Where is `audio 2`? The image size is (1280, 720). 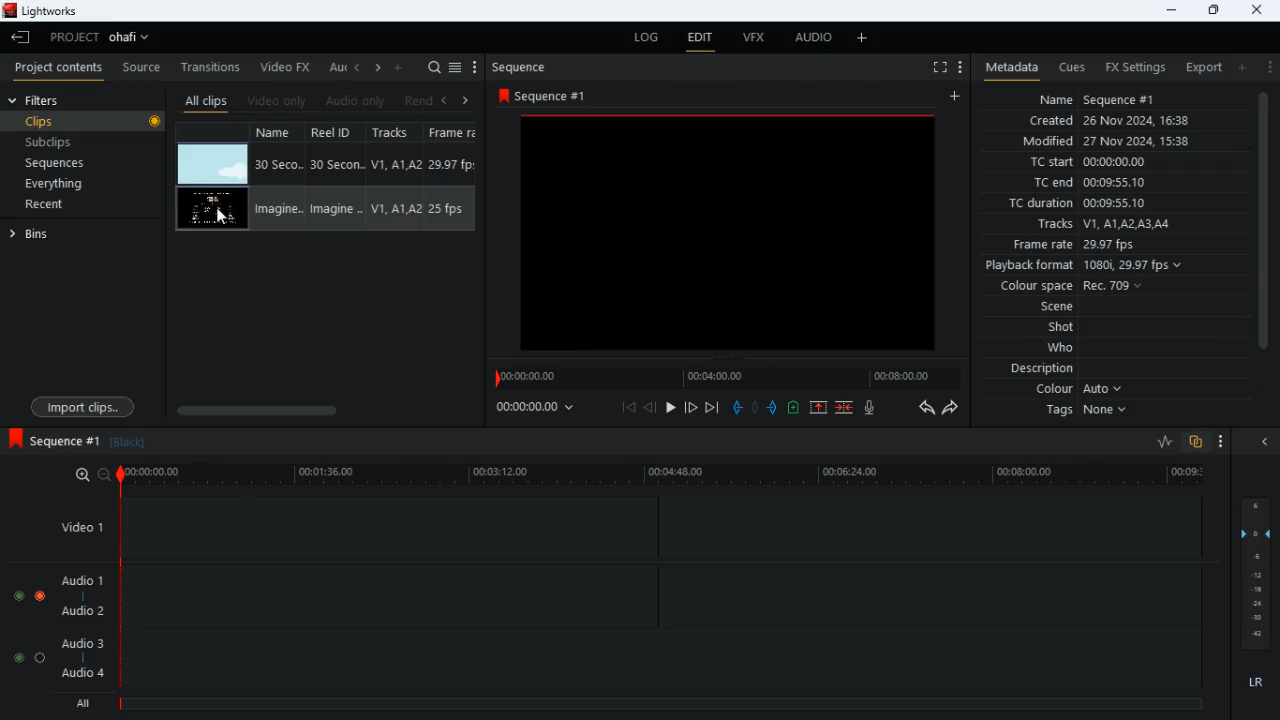
audio 2 is located at coordinates (83, 611).